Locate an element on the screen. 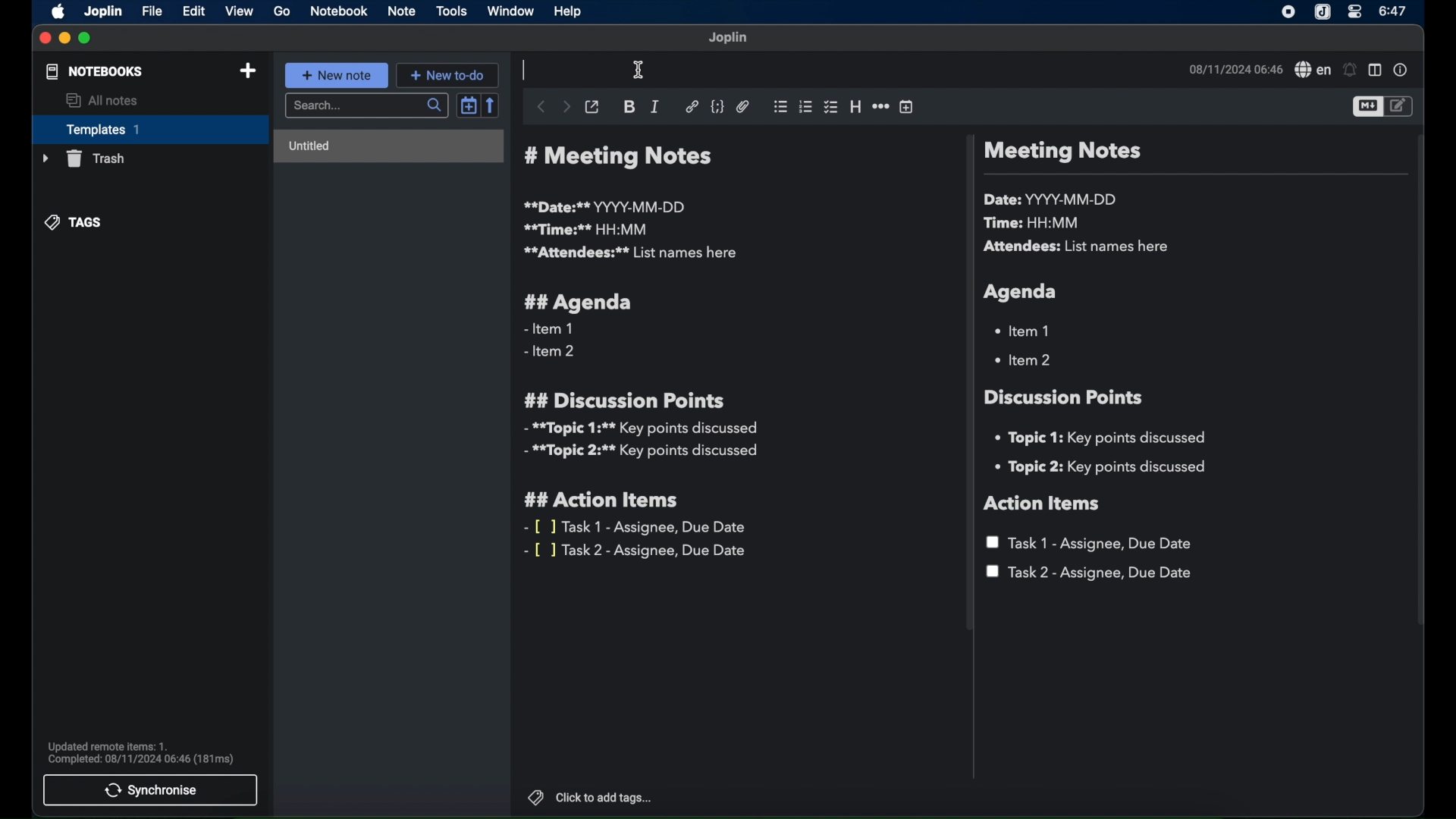  maximize is located at coordinates (86, 38).